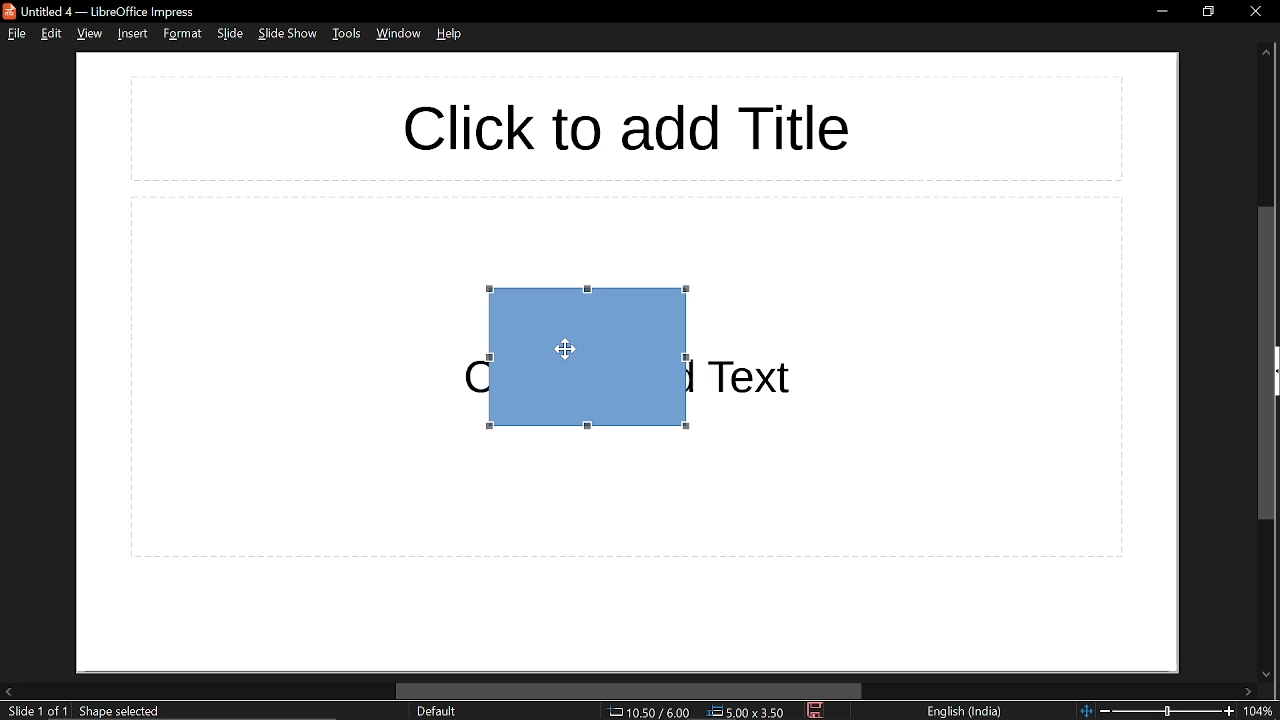 This screenshot has height=720, width=1280. Describe the element at coordinates (648, 712) in the screenshot. I see `co-ordinates` at that location.